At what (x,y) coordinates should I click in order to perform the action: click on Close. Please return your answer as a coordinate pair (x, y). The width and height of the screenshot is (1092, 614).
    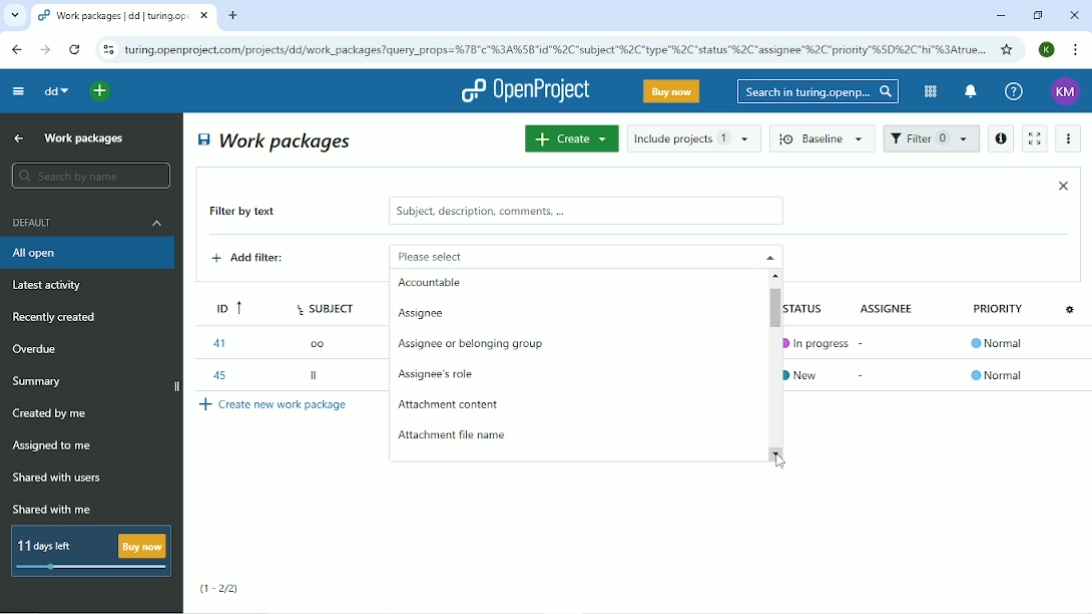
    Looking at the image, I should click on (1063, 185).